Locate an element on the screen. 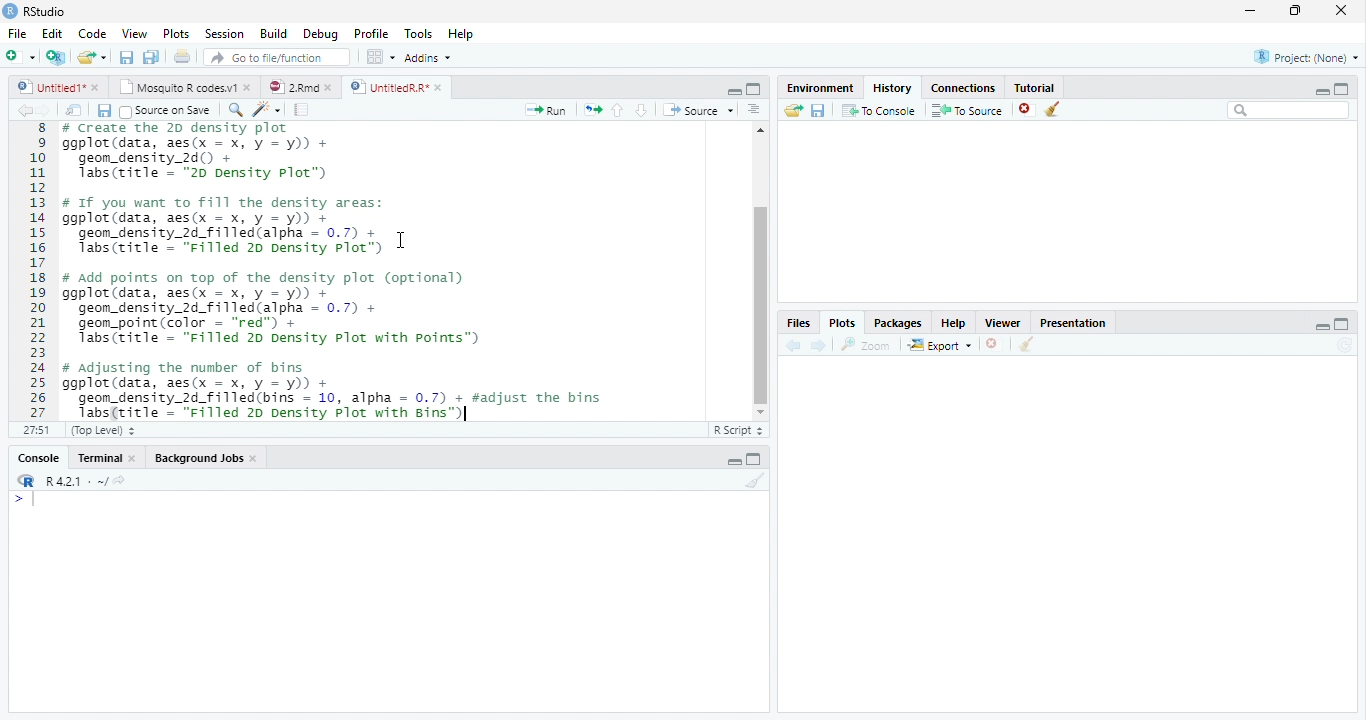 This screenshot has height=720, width=1366. Session is located at coordinates (225, 34).